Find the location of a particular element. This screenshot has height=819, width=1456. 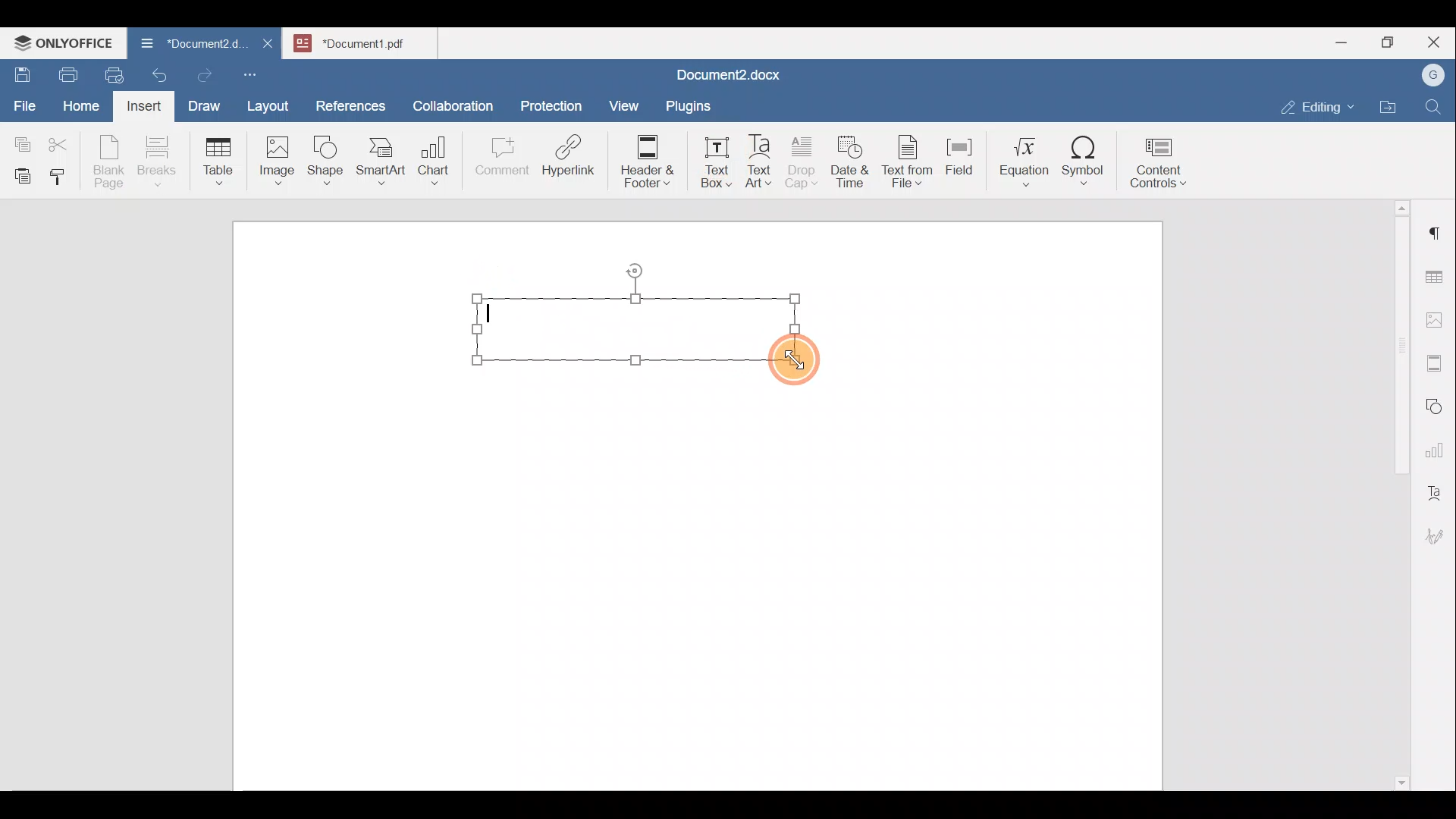

Content controls is located at coordinates (1161, 168).